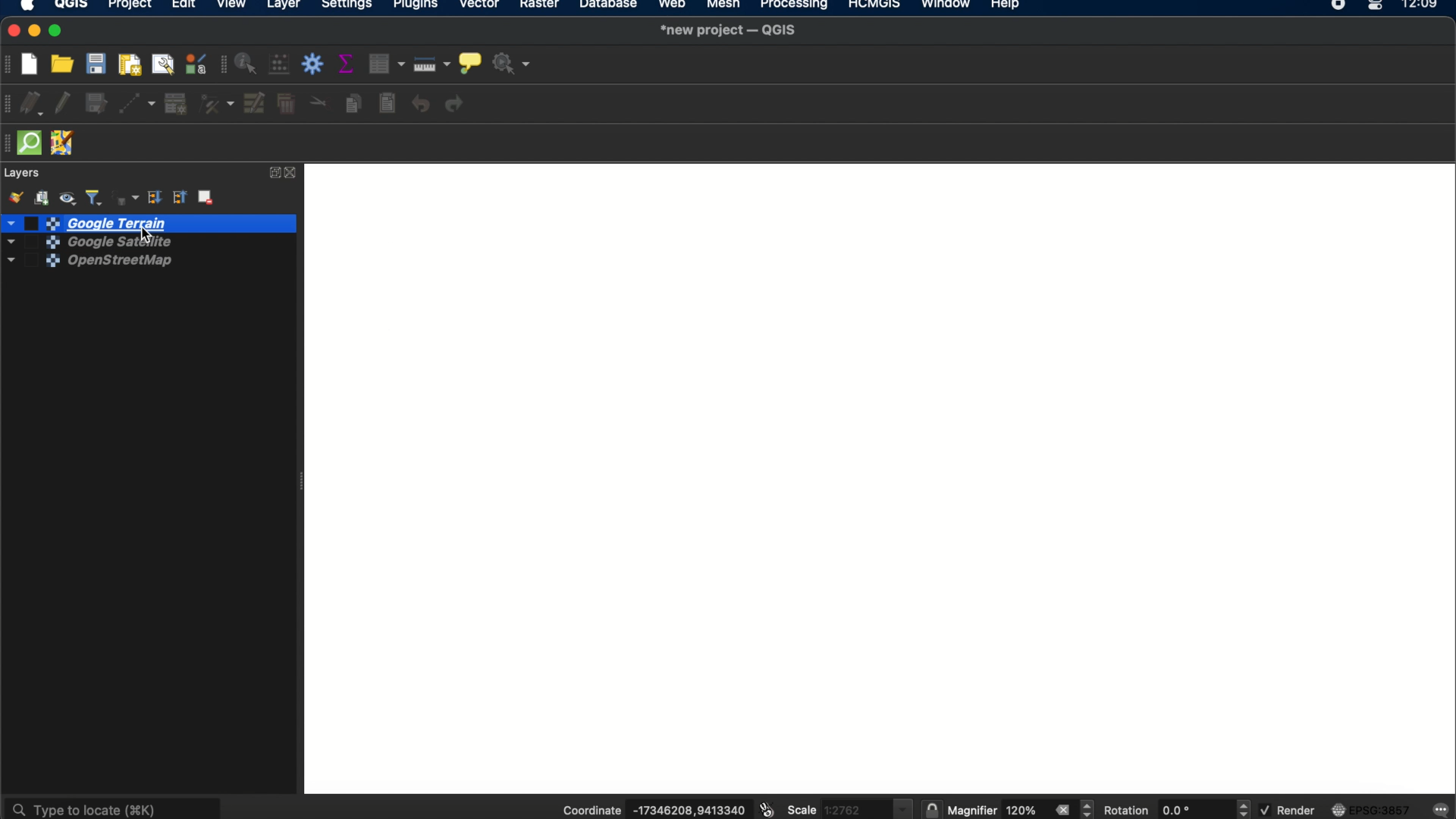  Describe the element at coordinates (648, 811) in the screenshot. I see `coordinate -17346208,9413340` at that location.